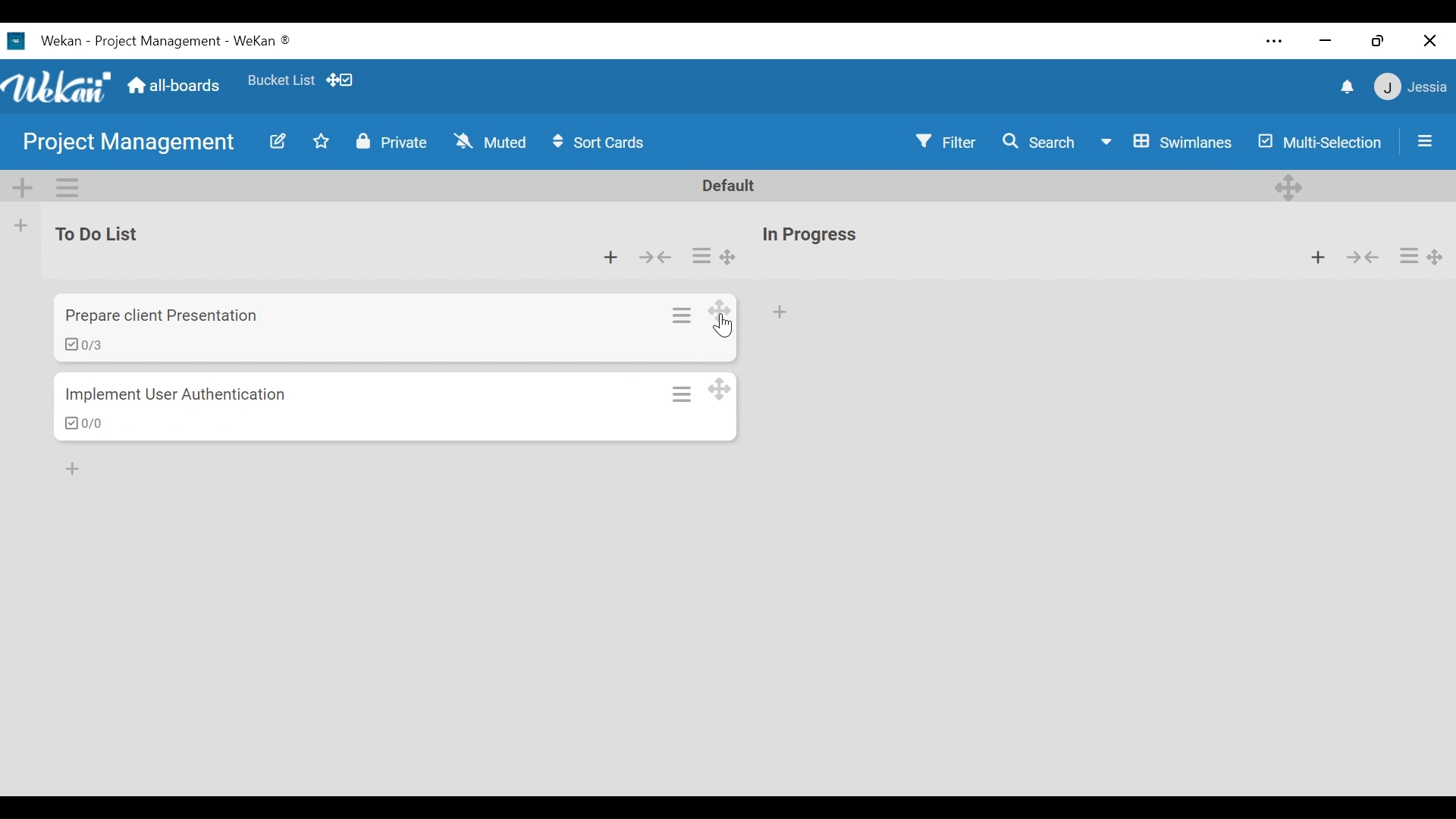  Describe the element at coordinates (280, 143) in the screenshot. I see `Edit` at that location.